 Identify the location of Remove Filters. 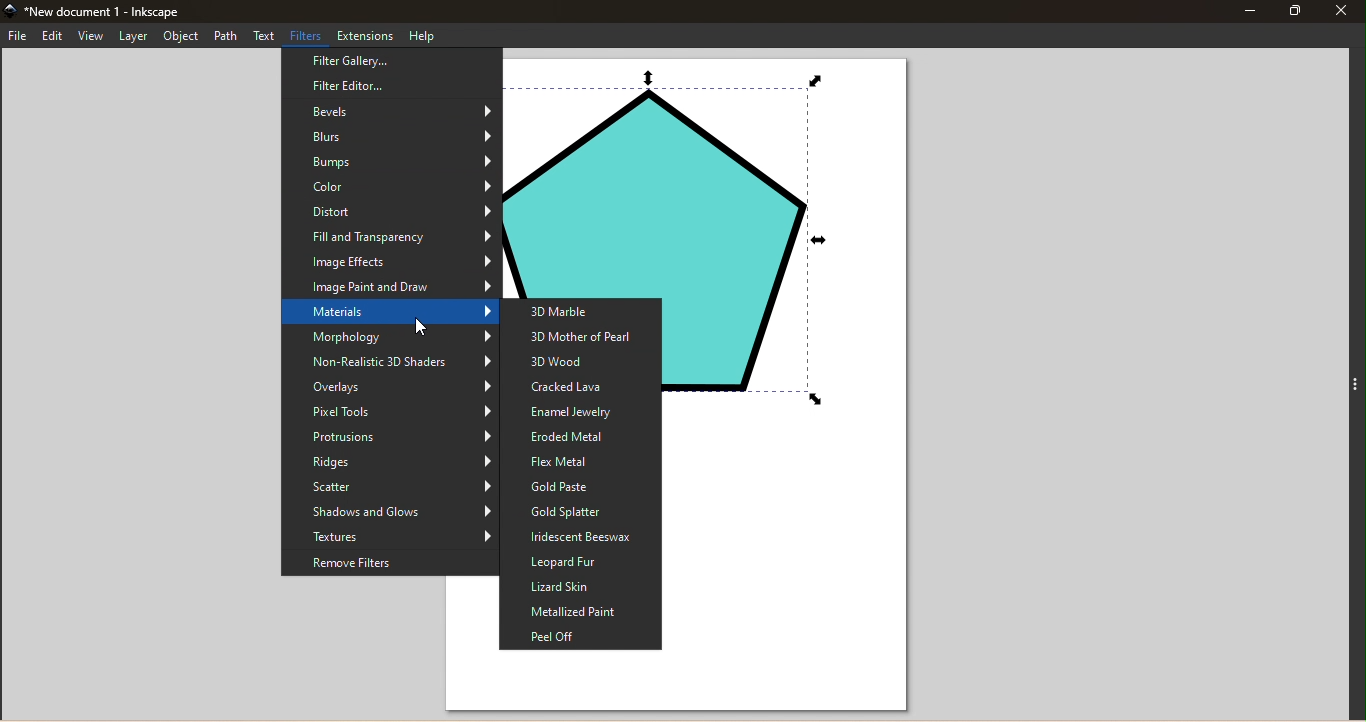
(388, 565).